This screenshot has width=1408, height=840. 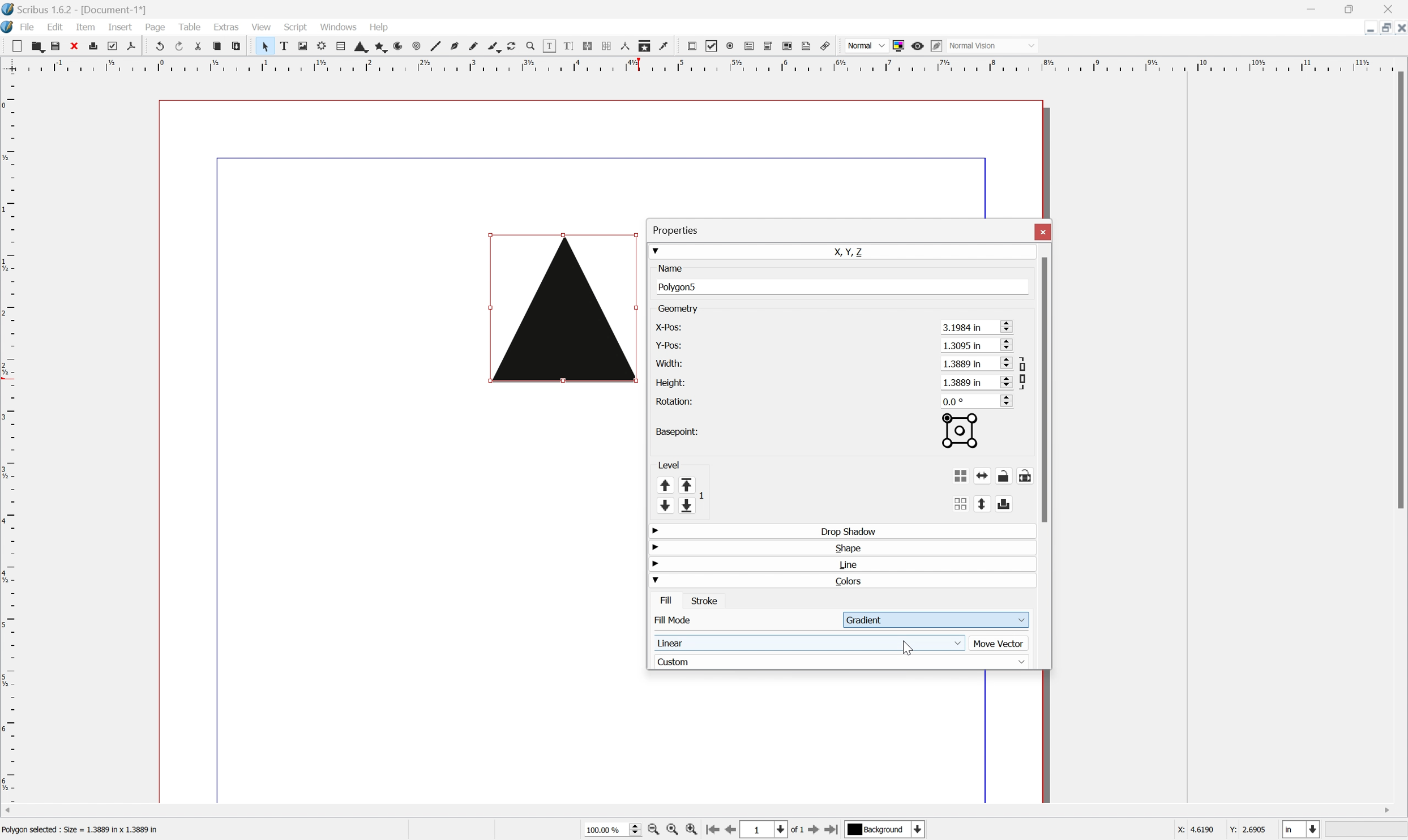 What do you see at coordinates (827, 45) in the screenshot?
I see `Link annotation` at bounding box center [827, 45].